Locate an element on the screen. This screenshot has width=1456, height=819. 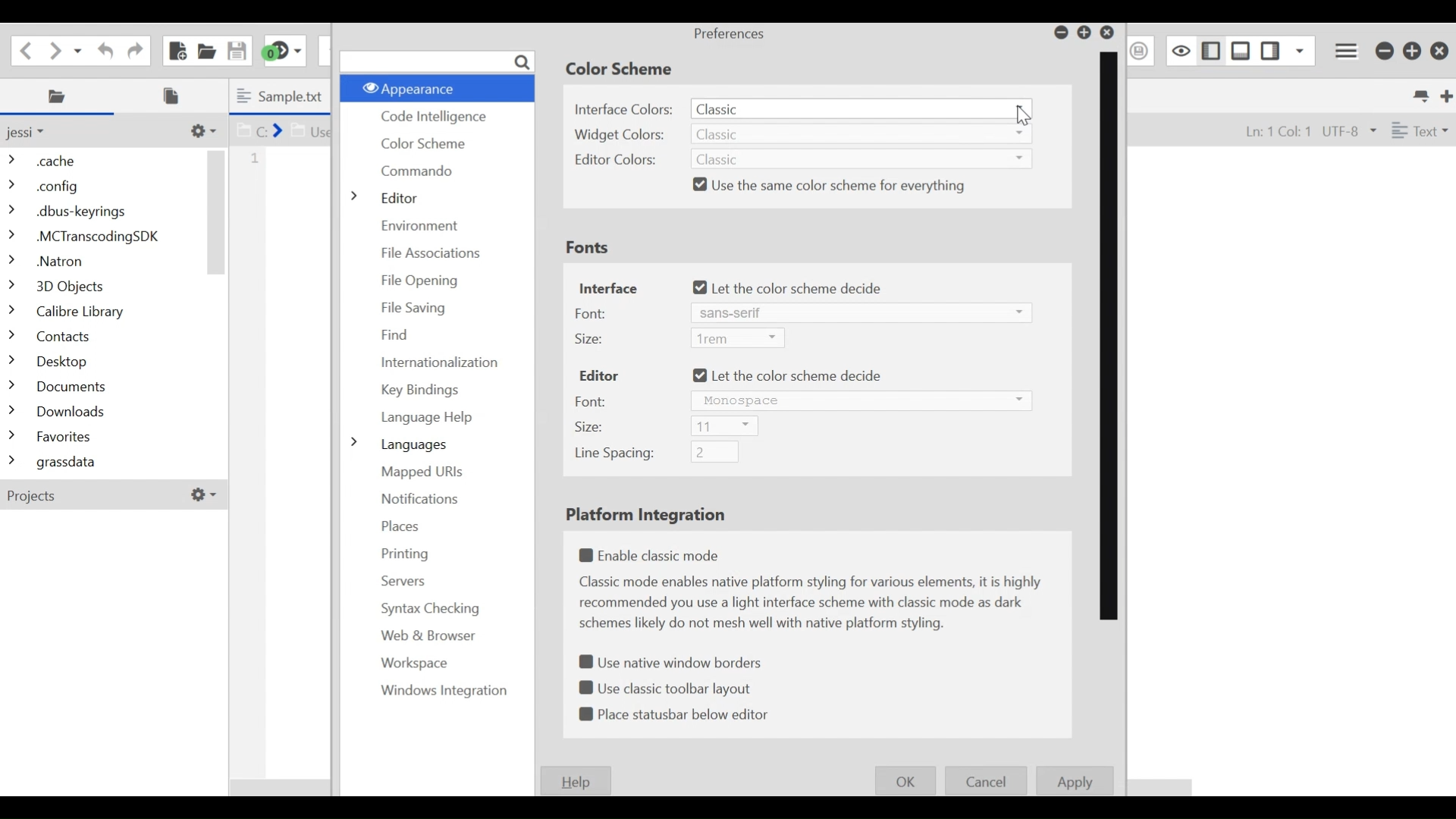
Show/ Hide left Pane is located at coordinates (1272, 50).